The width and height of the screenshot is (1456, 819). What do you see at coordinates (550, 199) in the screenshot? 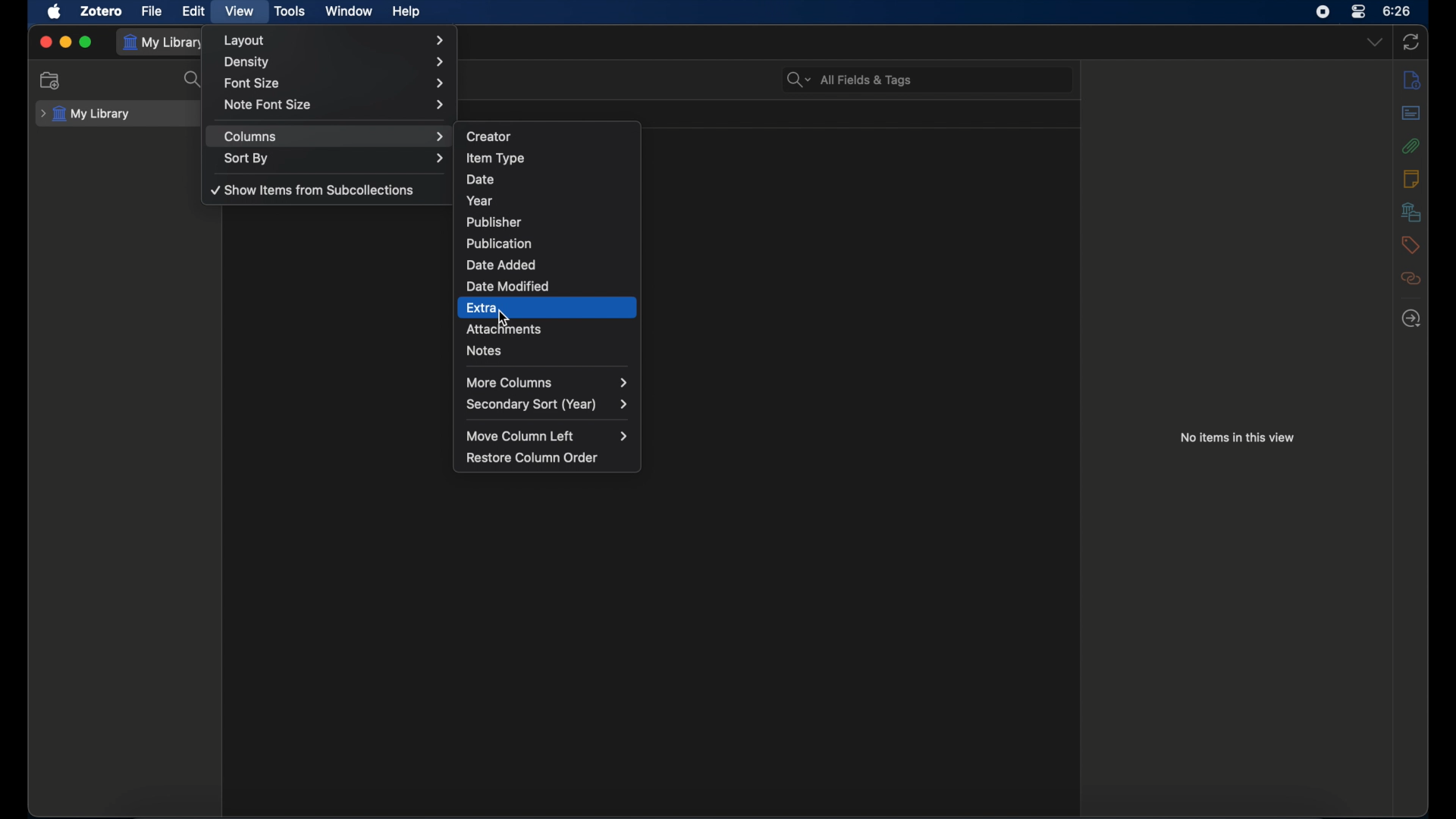
I see `year` at bounding box center [550, 199].